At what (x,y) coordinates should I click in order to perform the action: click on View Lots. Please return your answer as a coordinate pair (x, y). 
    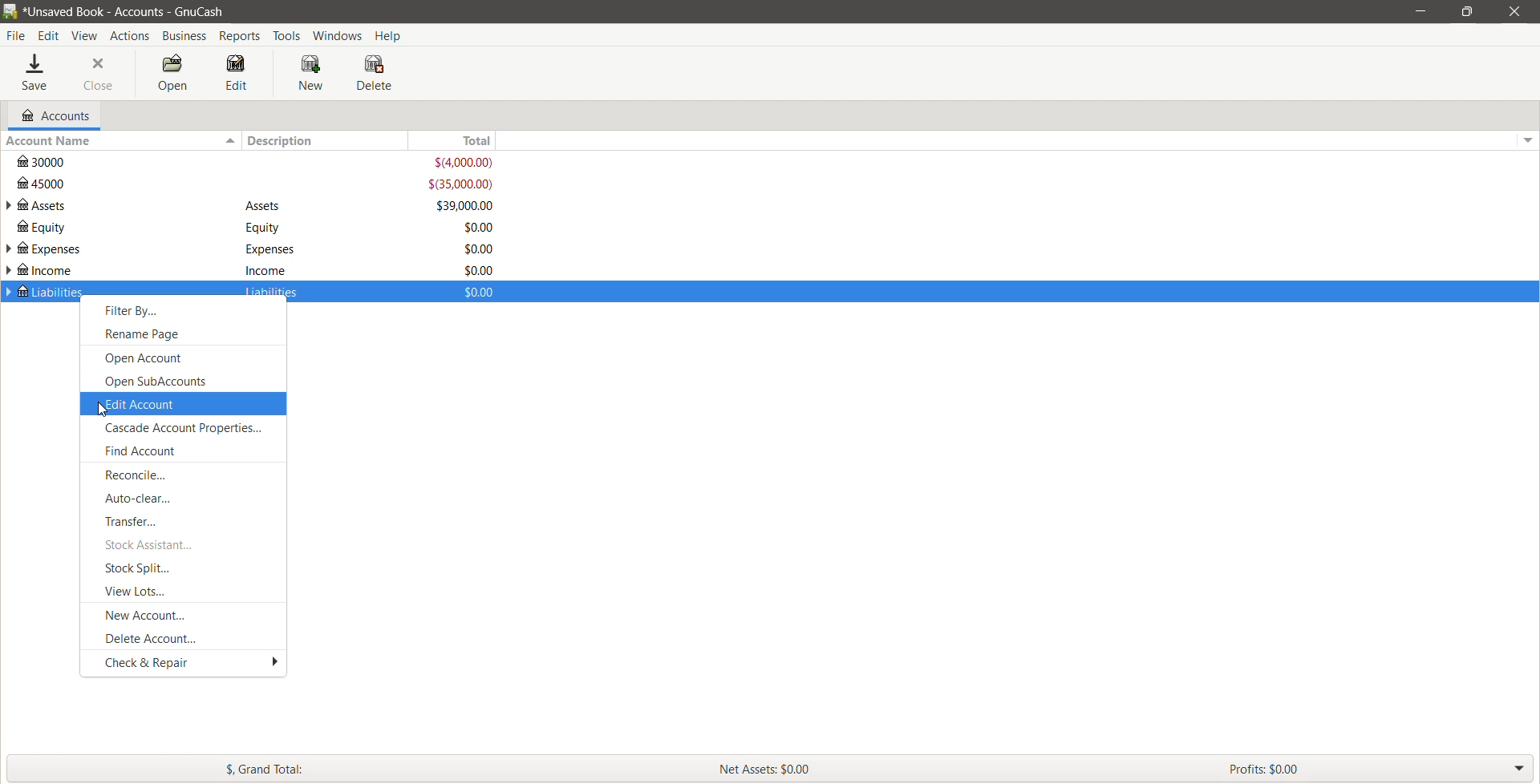
    Looking at the image, I should click on (145, 592).